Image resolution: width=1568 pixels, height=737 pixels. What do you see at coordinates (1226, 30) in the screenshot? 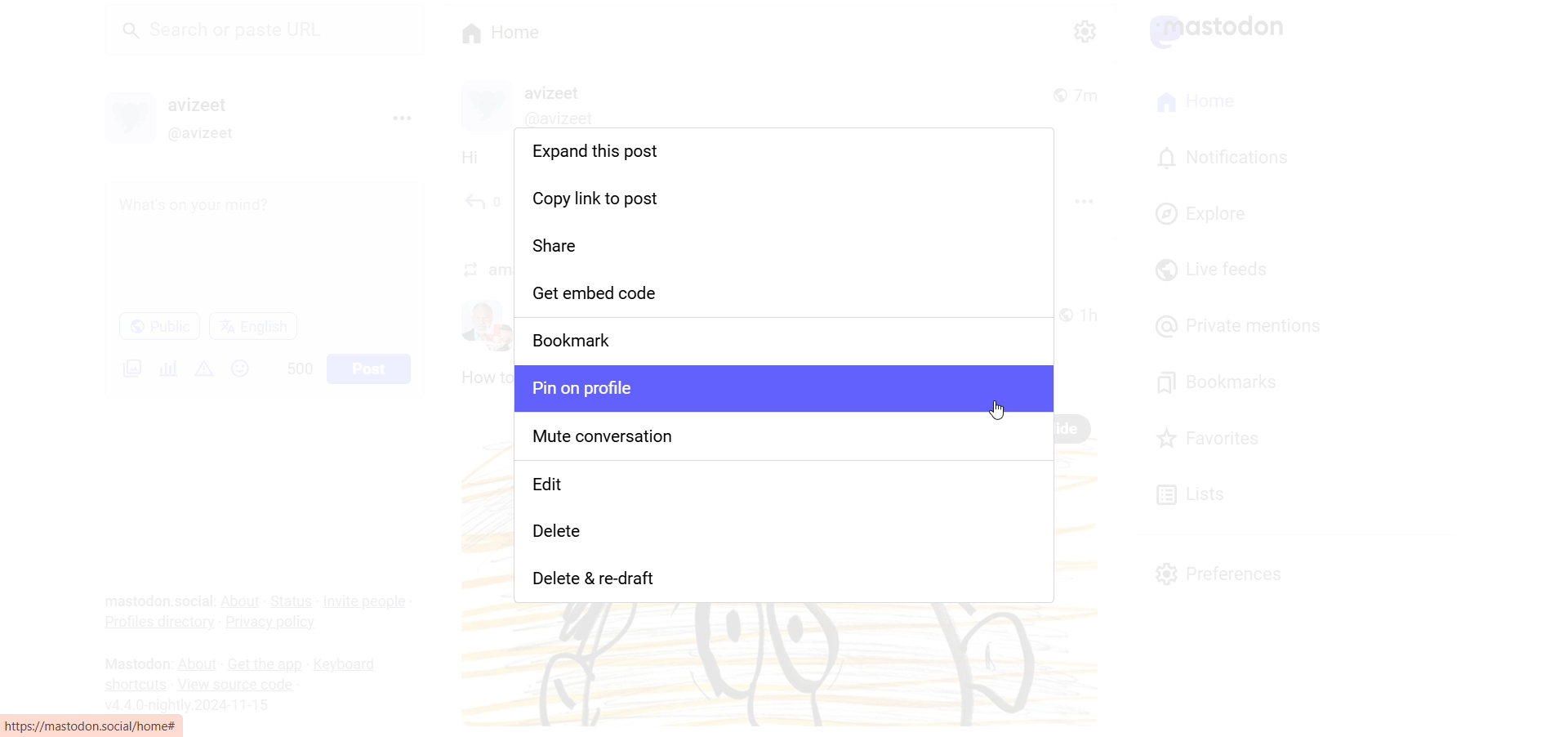
I see `Logo` at bounding box center [1226, 30].